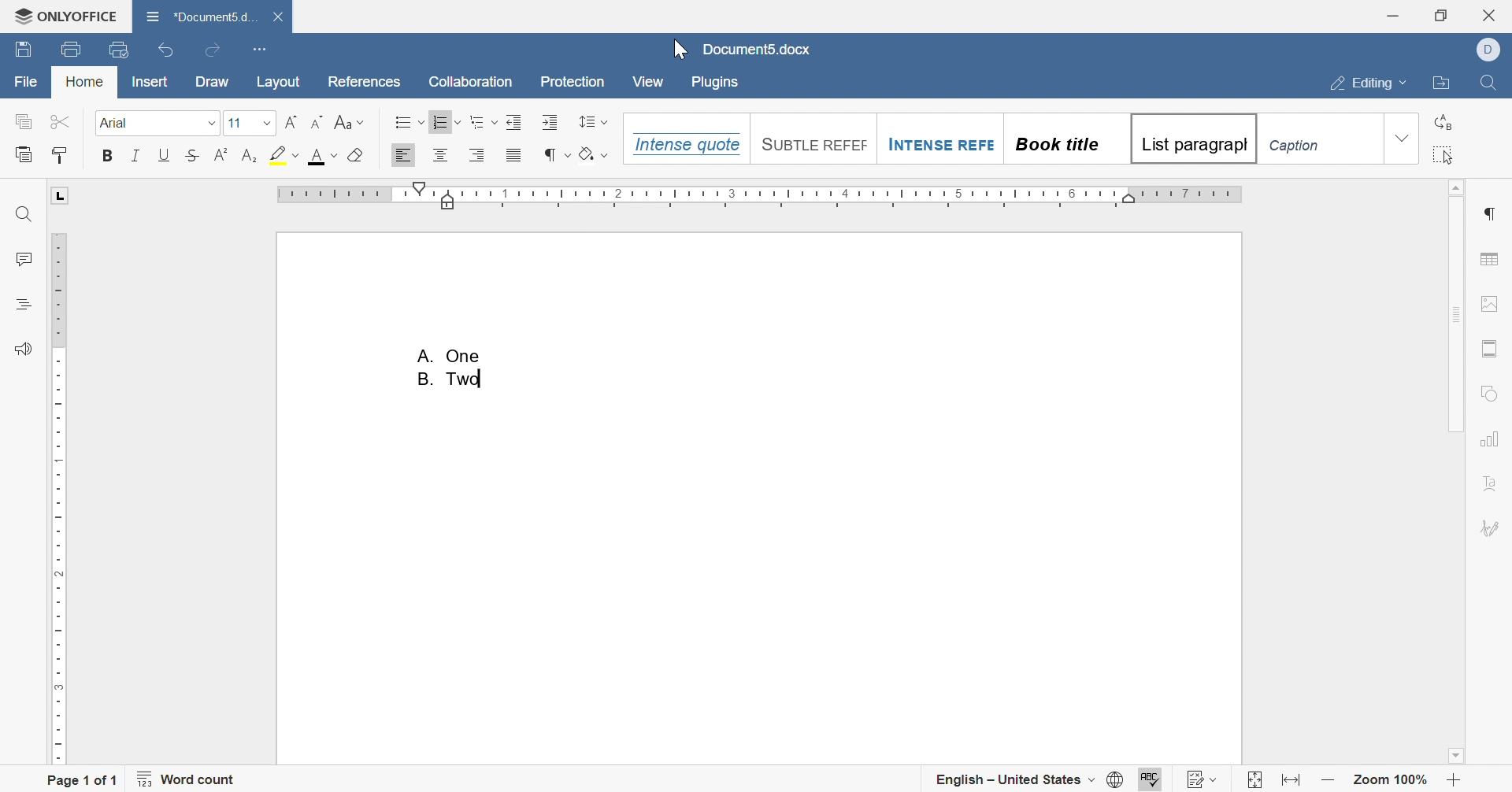  I want to click on Dell, so click(1488, 50).